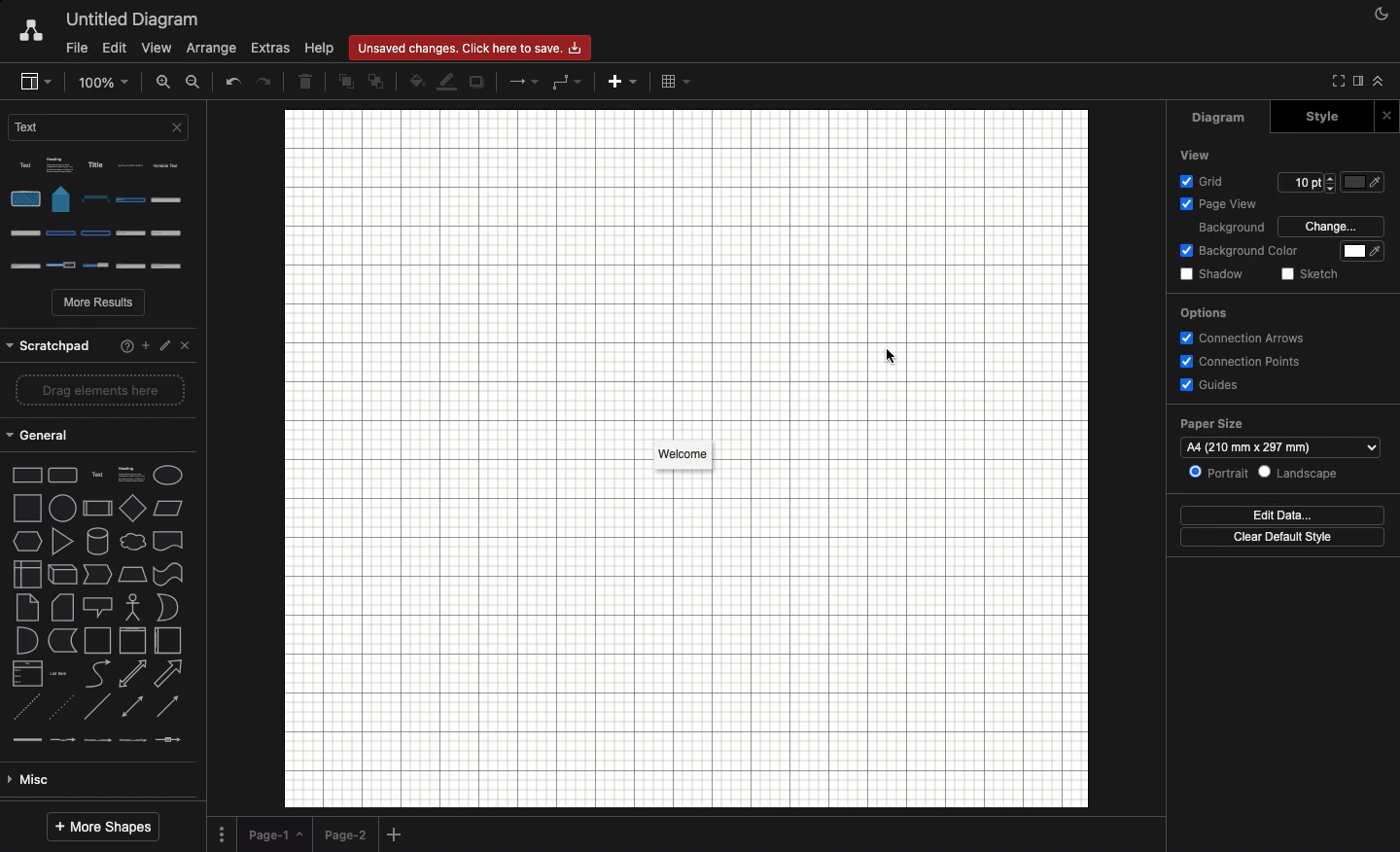 Image resolution: width=1400 pixels, height=852 pixels. I want to click on Redo, so click(266, 81).